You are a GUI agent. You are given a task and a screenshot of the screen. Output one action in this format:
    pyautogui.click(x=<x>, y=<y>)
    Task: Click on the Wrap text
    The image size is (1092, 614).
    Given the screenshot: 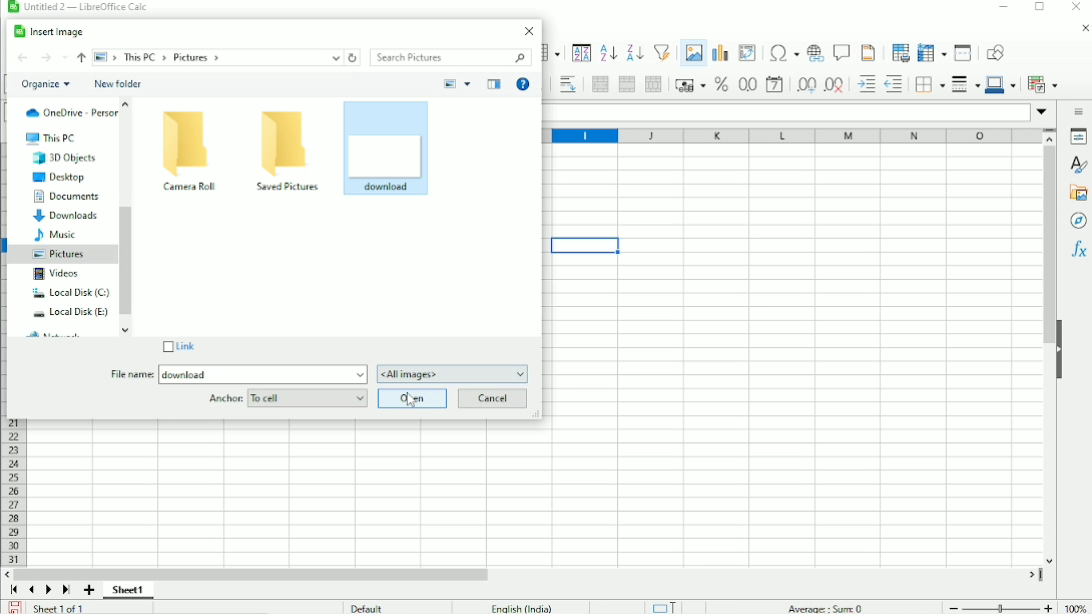 What is the action you would take?
    pyautogui.click(x=567, y=84)
    